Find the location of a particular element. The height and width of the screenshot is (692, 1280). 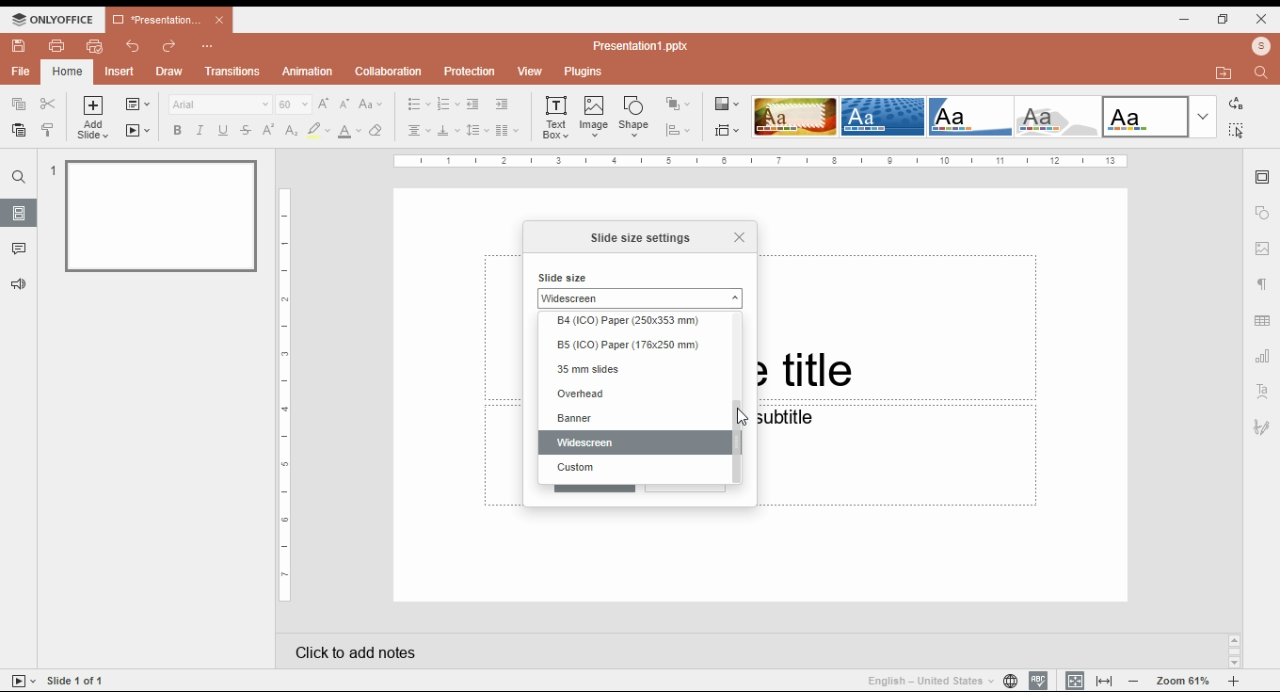

spell check is located at coordinates (1038, 680).